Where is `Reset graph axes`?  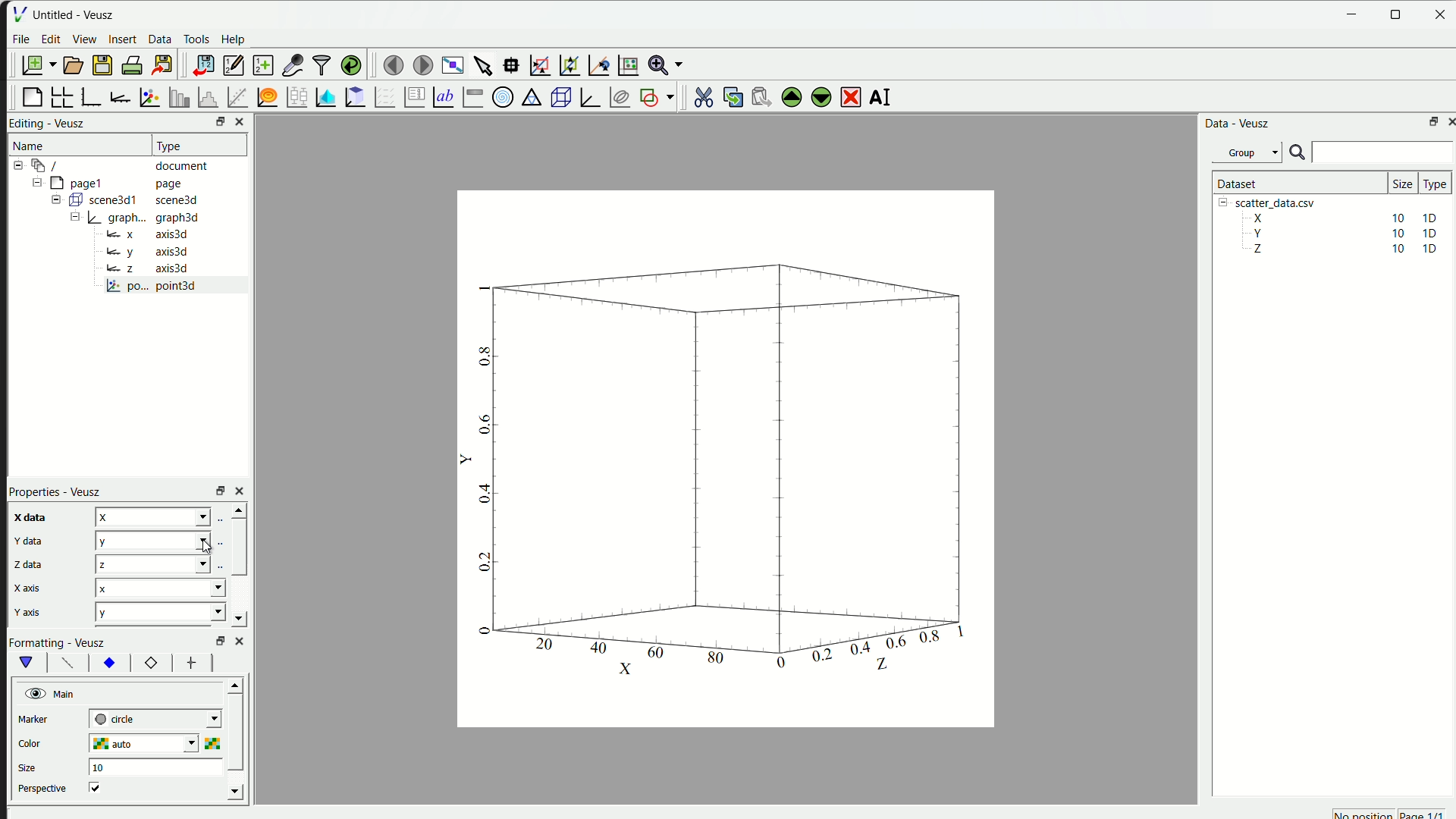 Reset graph axes is located at coordinates (627, 63).